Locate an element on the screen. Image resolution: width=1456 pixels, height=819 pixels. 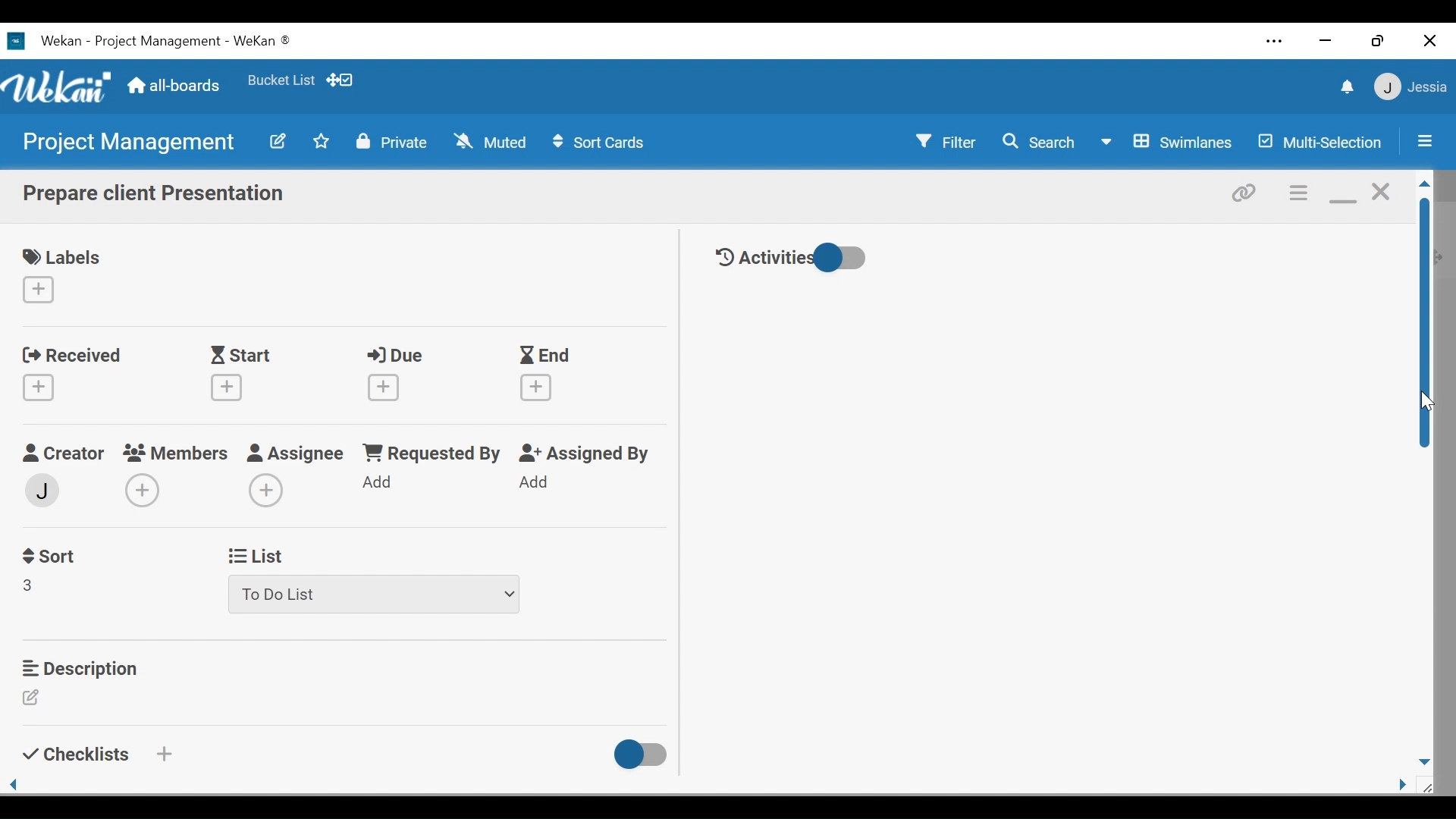
Multi-Selection is located at coordinates (1317, 142).